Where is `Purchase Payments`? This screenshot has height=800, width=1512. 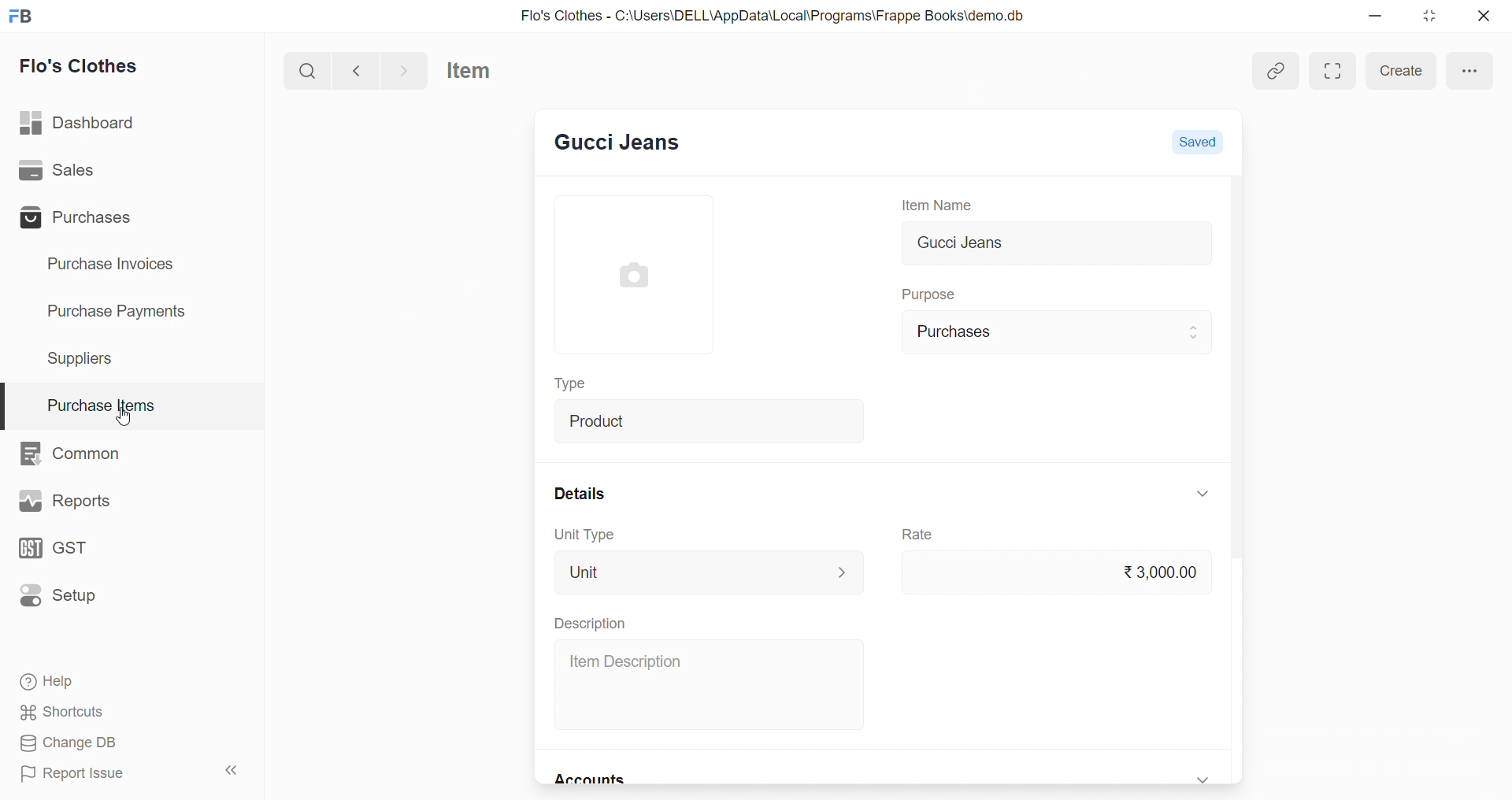
Purchase Payments is located at coordinates (122, 312).